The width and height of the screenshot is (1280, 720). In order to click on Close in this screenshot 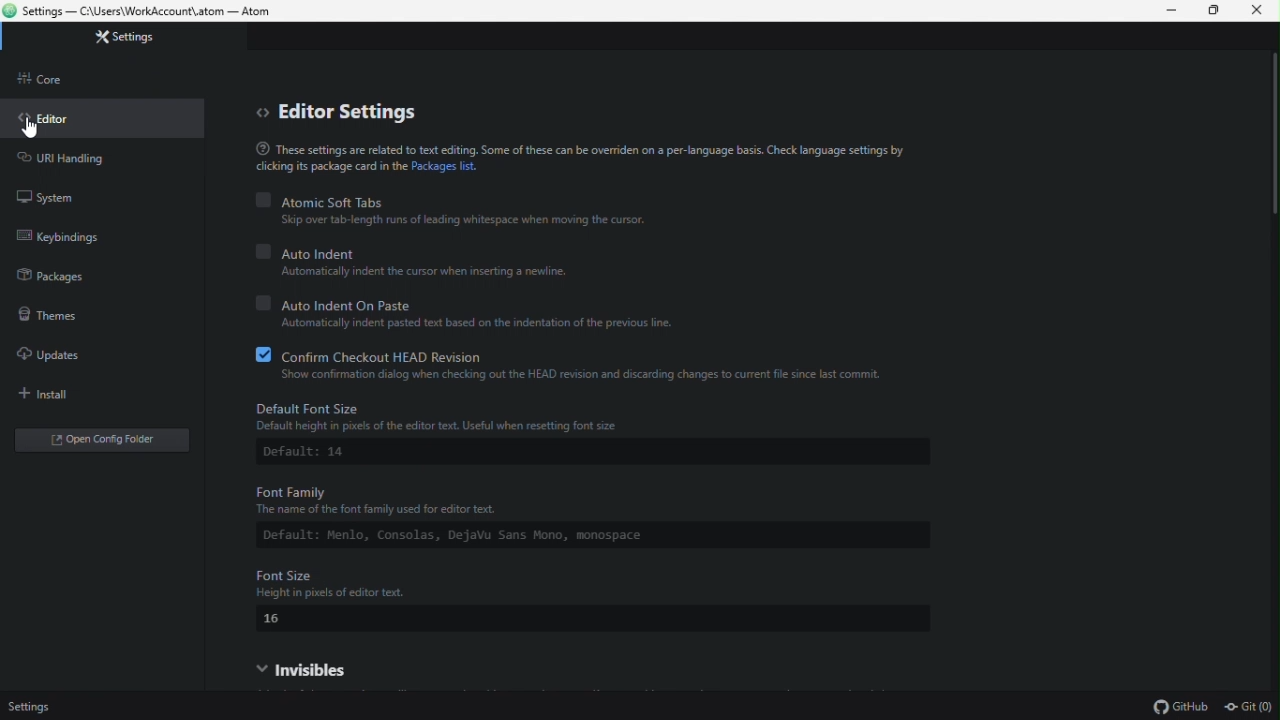, I will do `click(1262, 15)`.